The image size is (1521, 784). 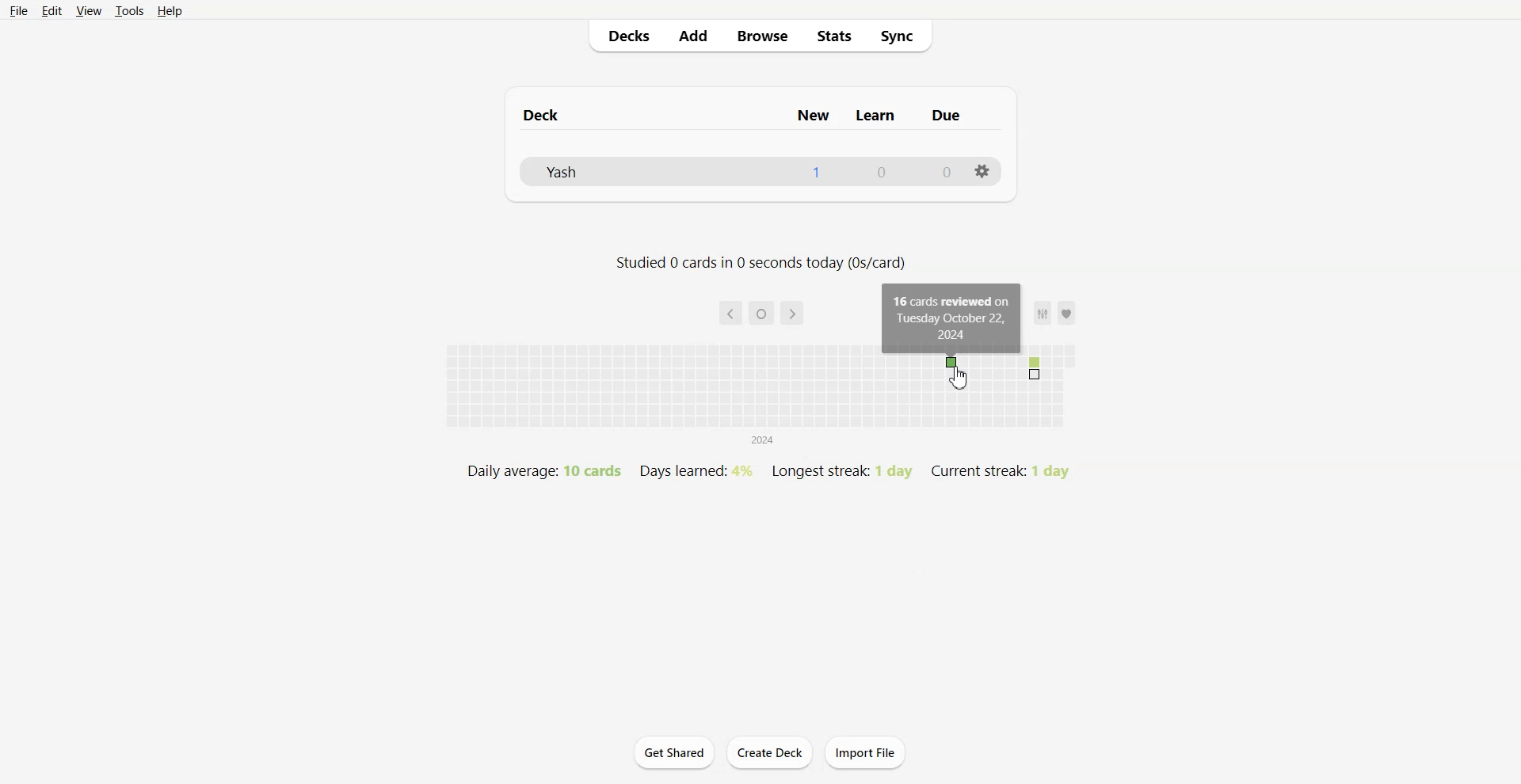 I want to click on yearly overview, so click(x=758, y=407).